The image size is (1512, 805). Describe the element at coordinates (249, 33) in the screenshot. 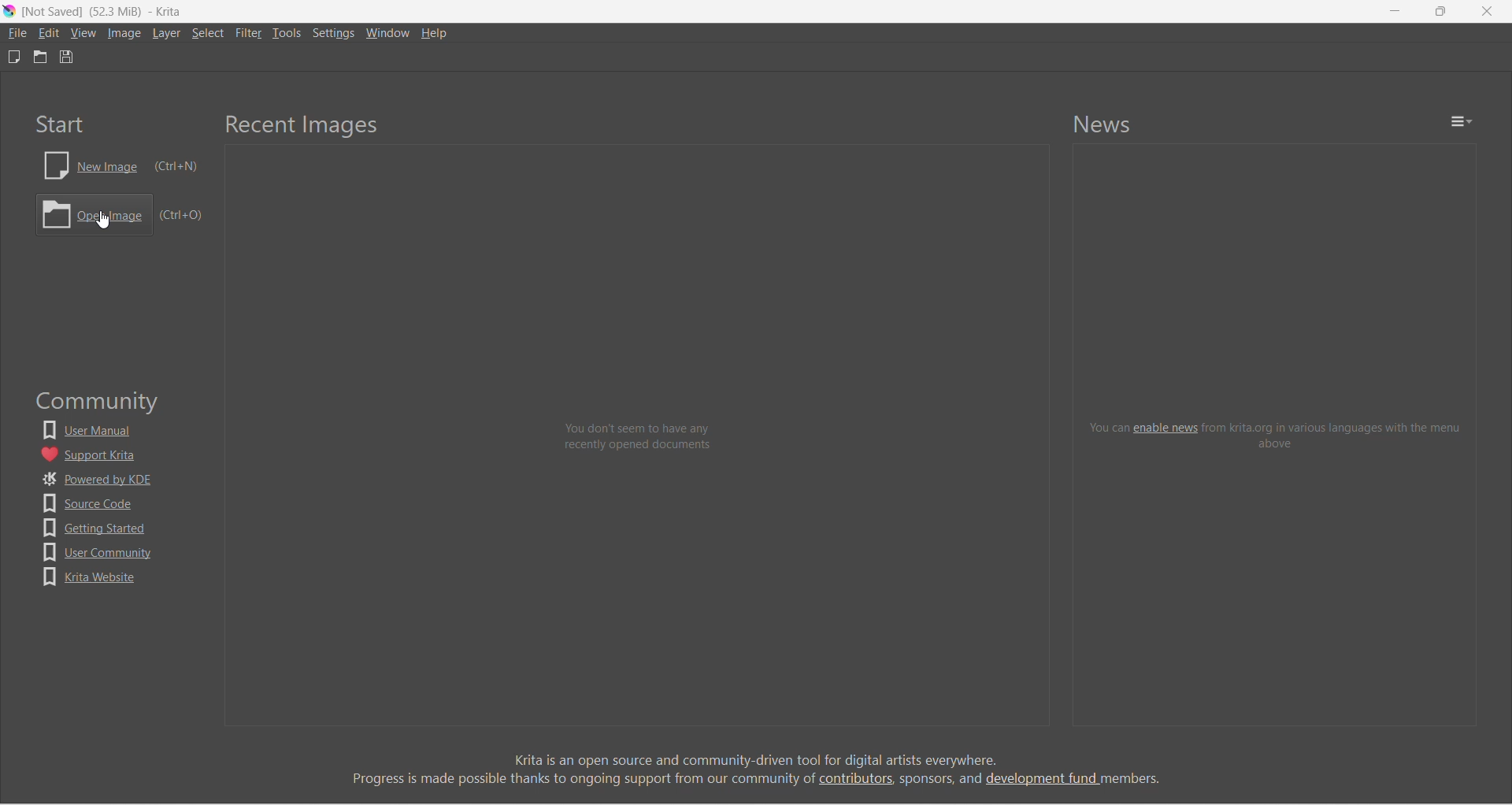

I see `filter` at that location.